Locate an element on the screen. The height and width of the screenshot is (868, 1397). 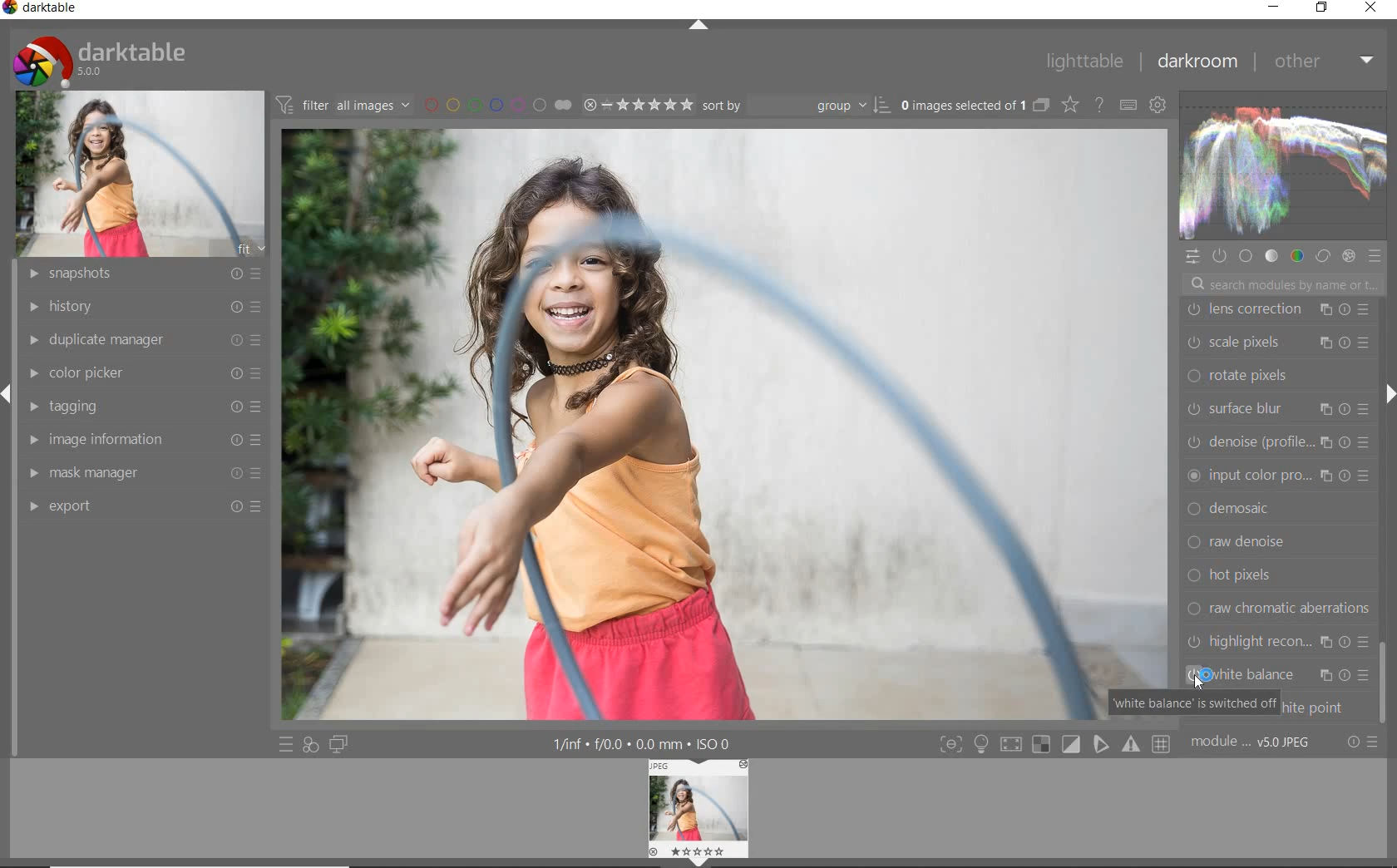
image is located at coordinates (142, 172).